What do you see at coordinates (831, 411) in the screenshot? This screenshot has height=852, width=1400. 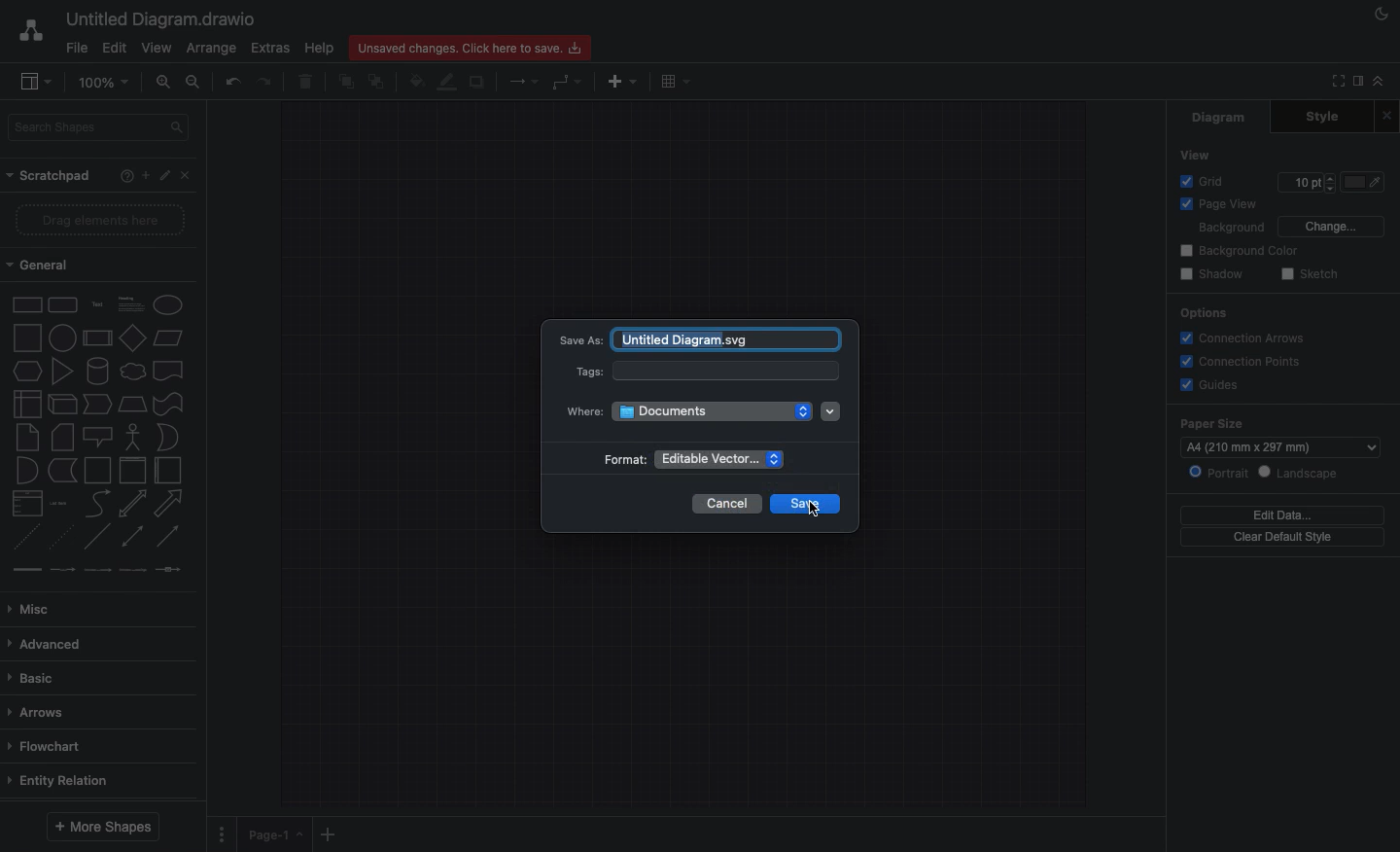 I see `Dropdown` at bounding box center [831, 411].